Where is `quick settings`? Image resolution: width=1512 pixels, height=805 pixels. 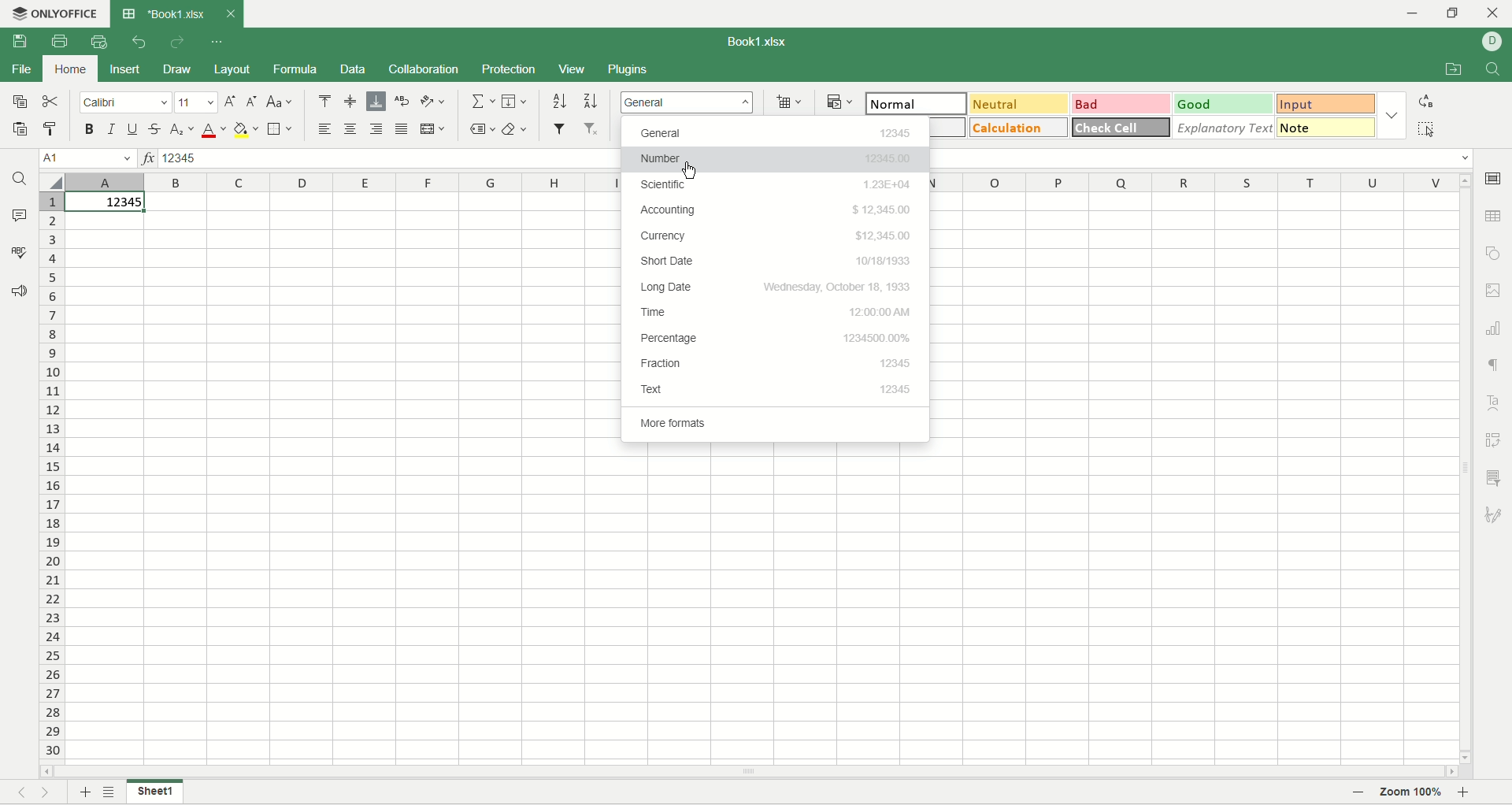 quick settings is located at coordinates (217, 44).